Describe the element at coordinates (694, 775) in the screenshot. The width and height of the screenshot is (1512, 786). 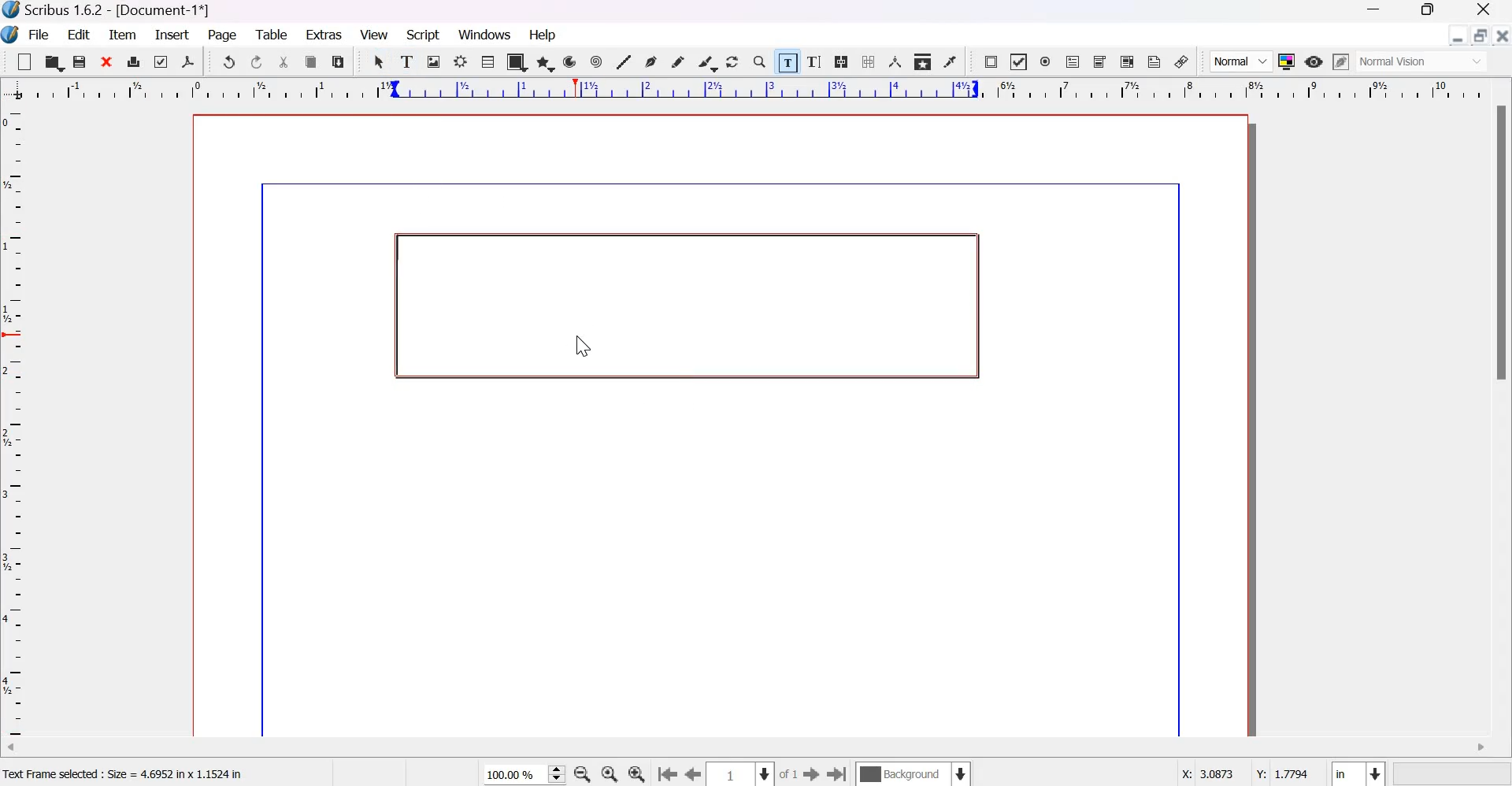
I see `go to the previous page` at that location.